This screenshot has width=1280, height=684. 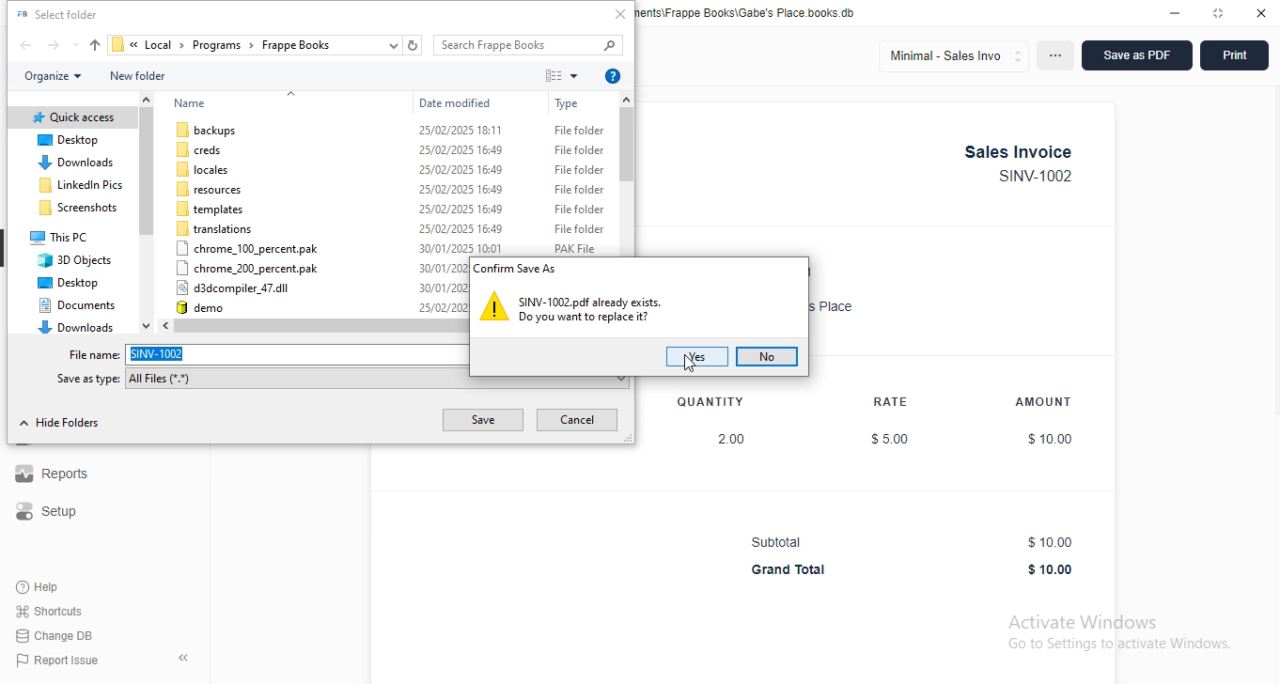 I want to click on screenshots, so click(x=79, y=207).